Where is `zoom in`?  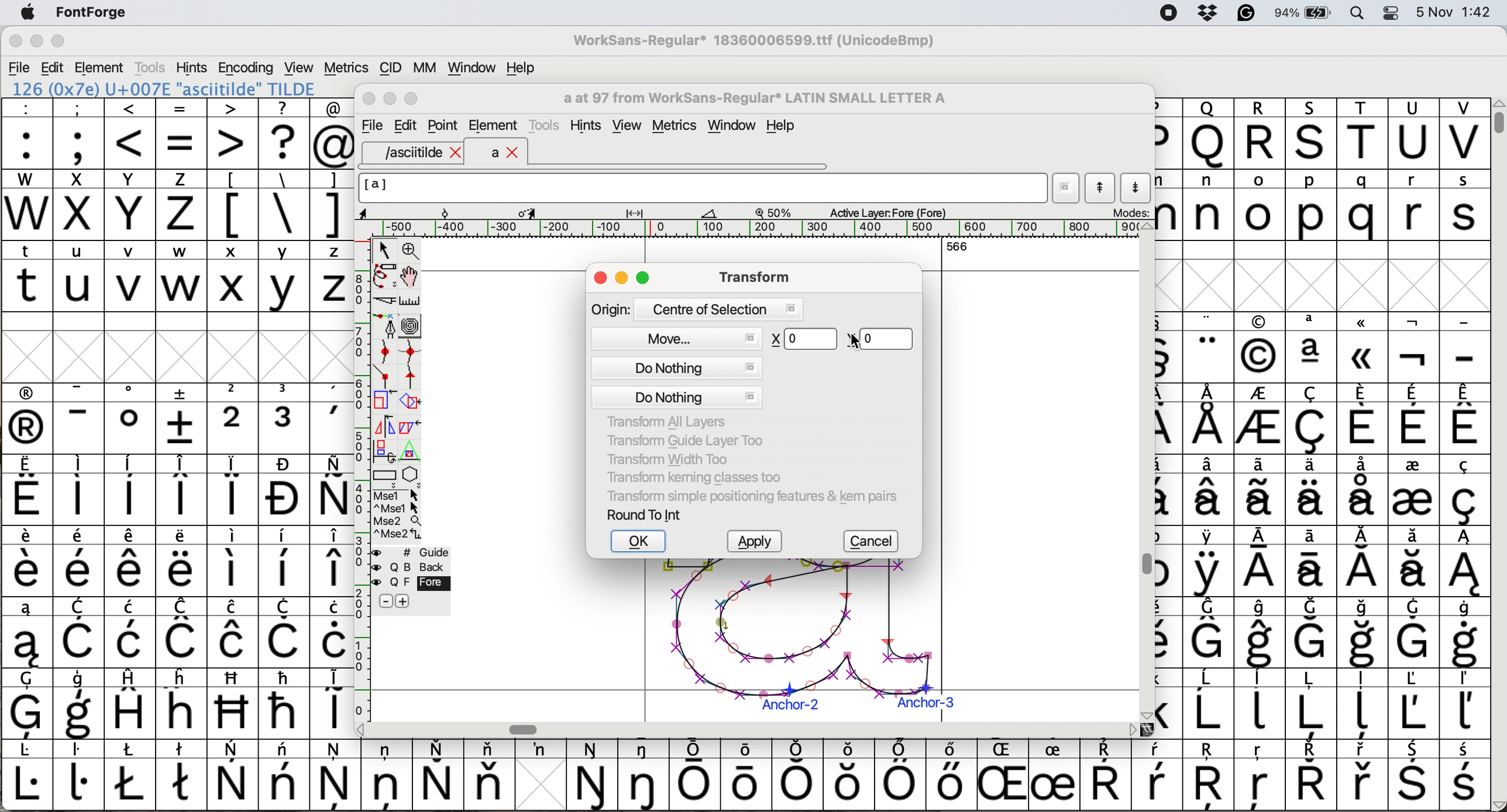 zoom in is located at coordinates (413, 252).